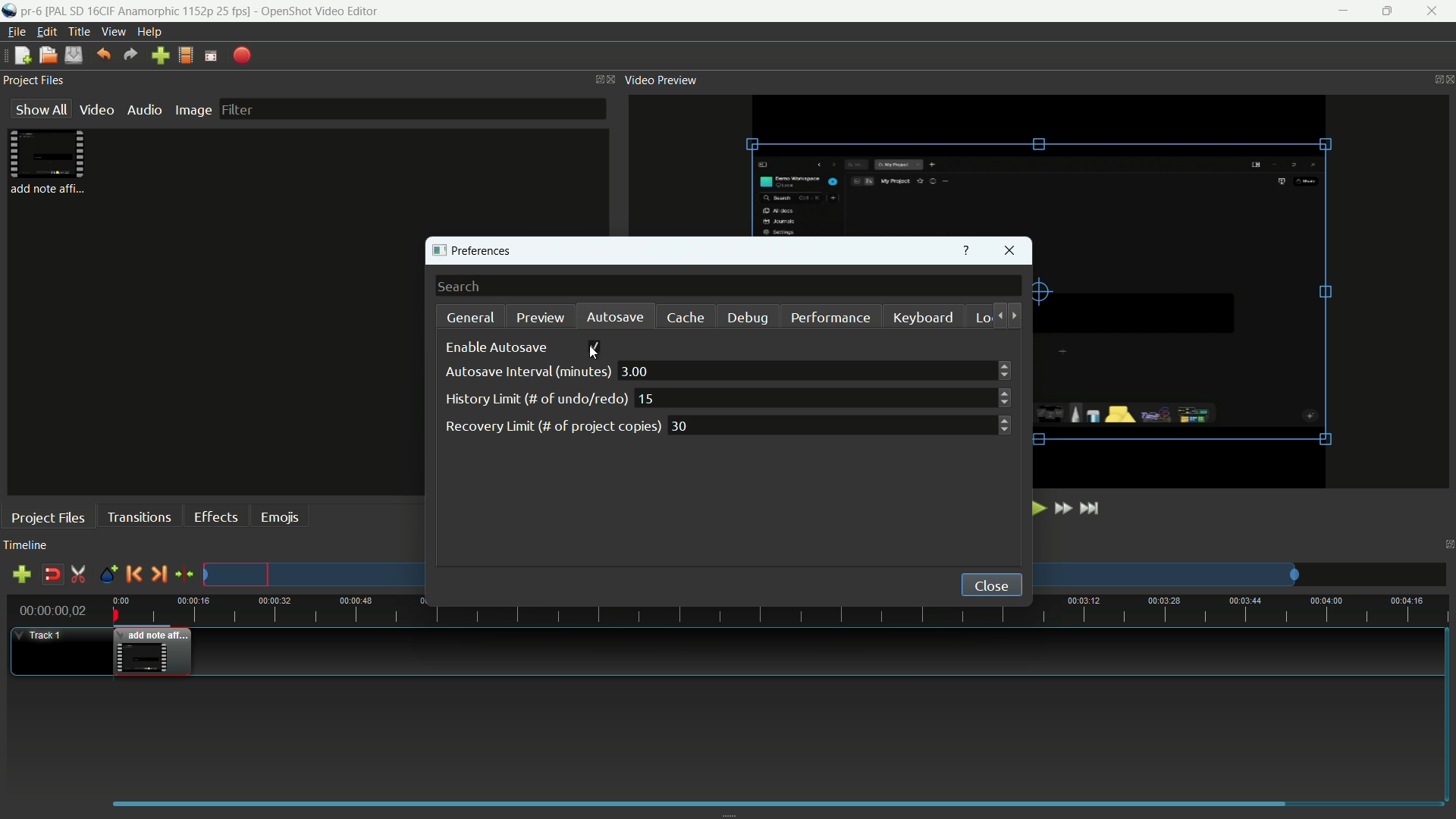 The width and height of the screenshot is (1456, 819). Describe the element at coordinates (20, 575) in the screenshot. I see `add track` at that location.